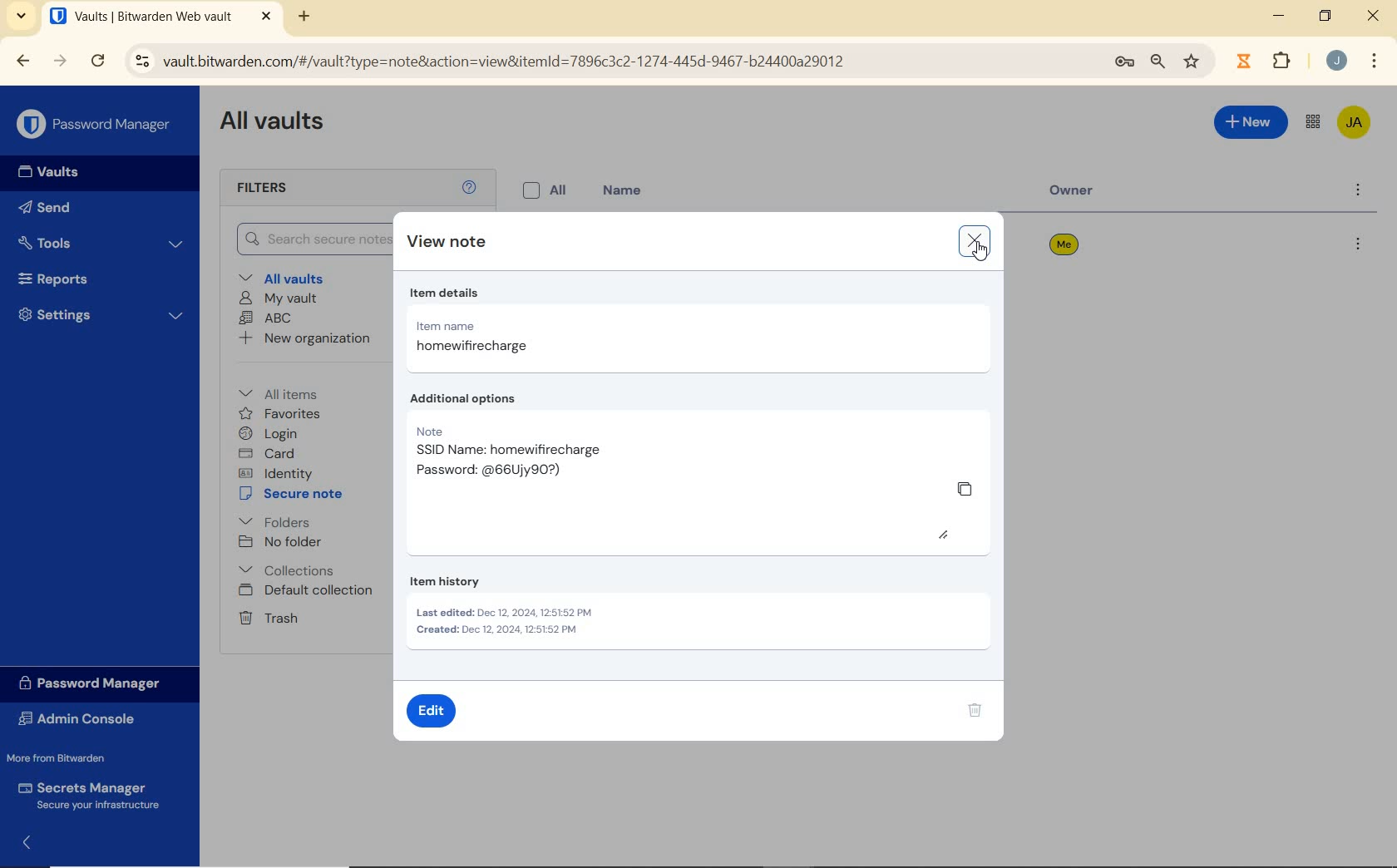 This screenshot has height=868, width=1397. What do you see at coordinates (95, 277) in the screenshot?
I see `Reports` at bounding box center [95, 277].